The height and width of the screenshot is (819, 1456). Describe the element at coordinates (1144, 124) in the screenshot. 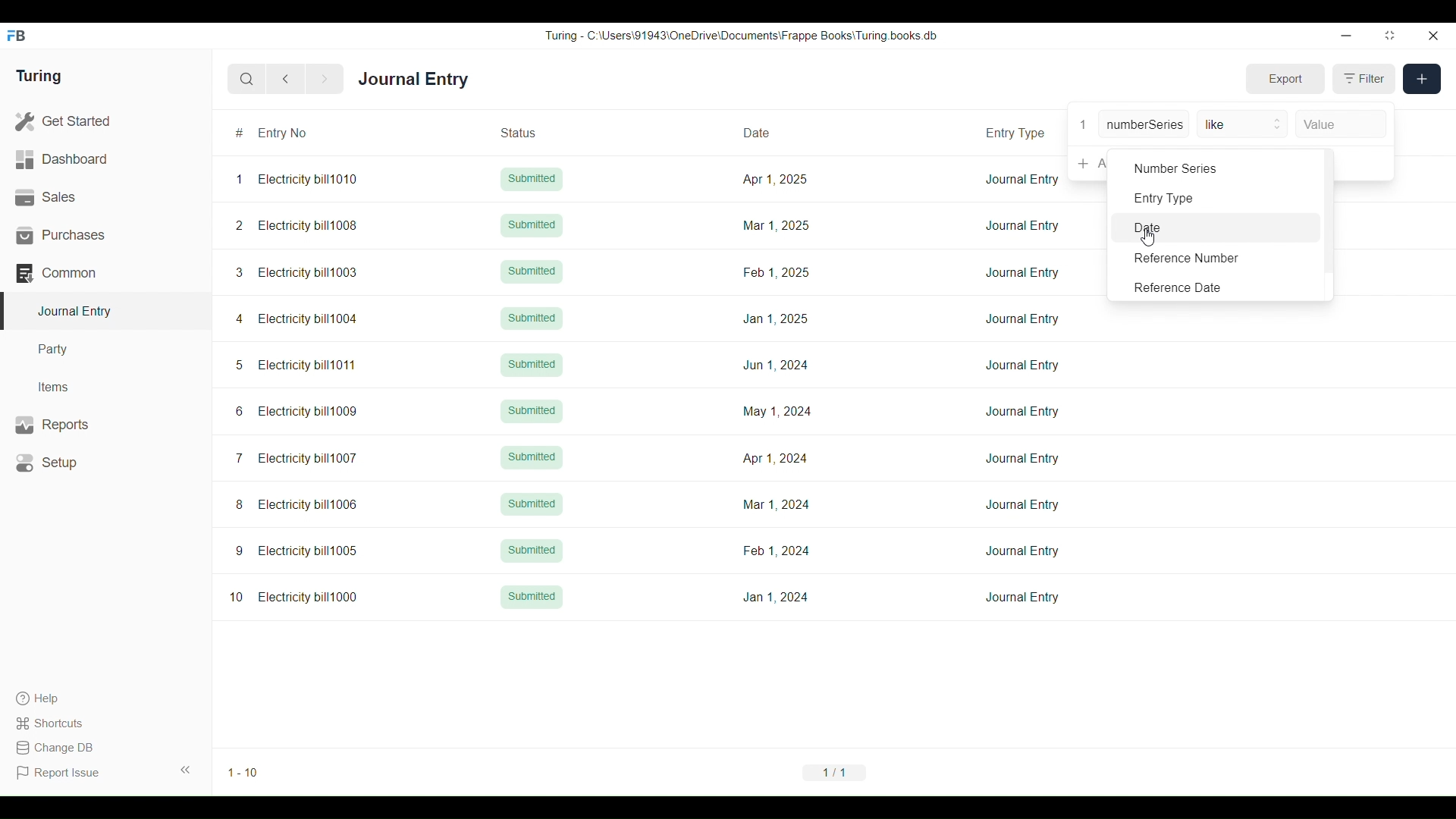

I see `numberSeries` at that location.